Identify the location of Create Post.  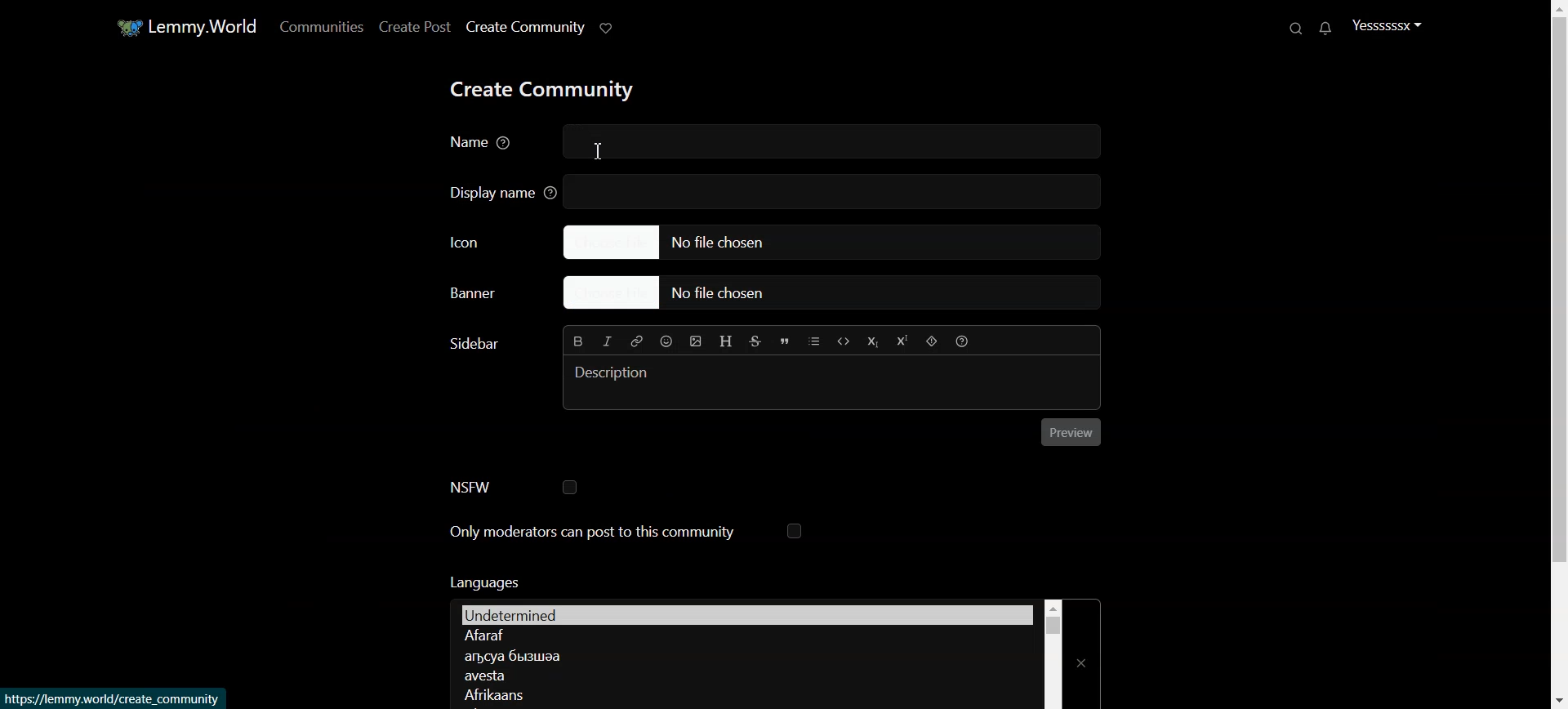
(413, 26).